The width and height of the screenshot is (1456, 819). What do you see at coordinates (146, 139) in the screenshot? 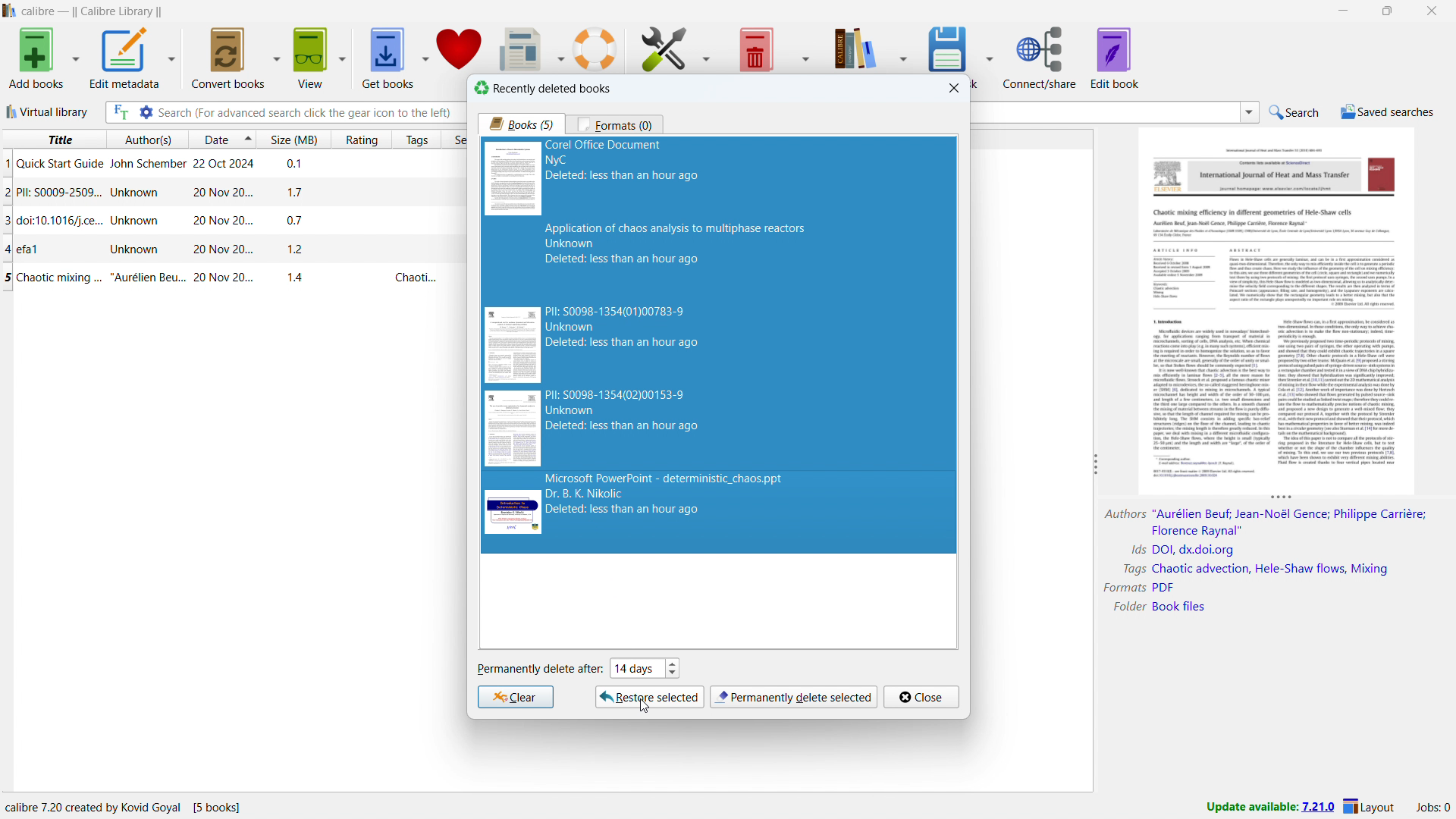
I see `sort by author` at bounding box center [146, 139].